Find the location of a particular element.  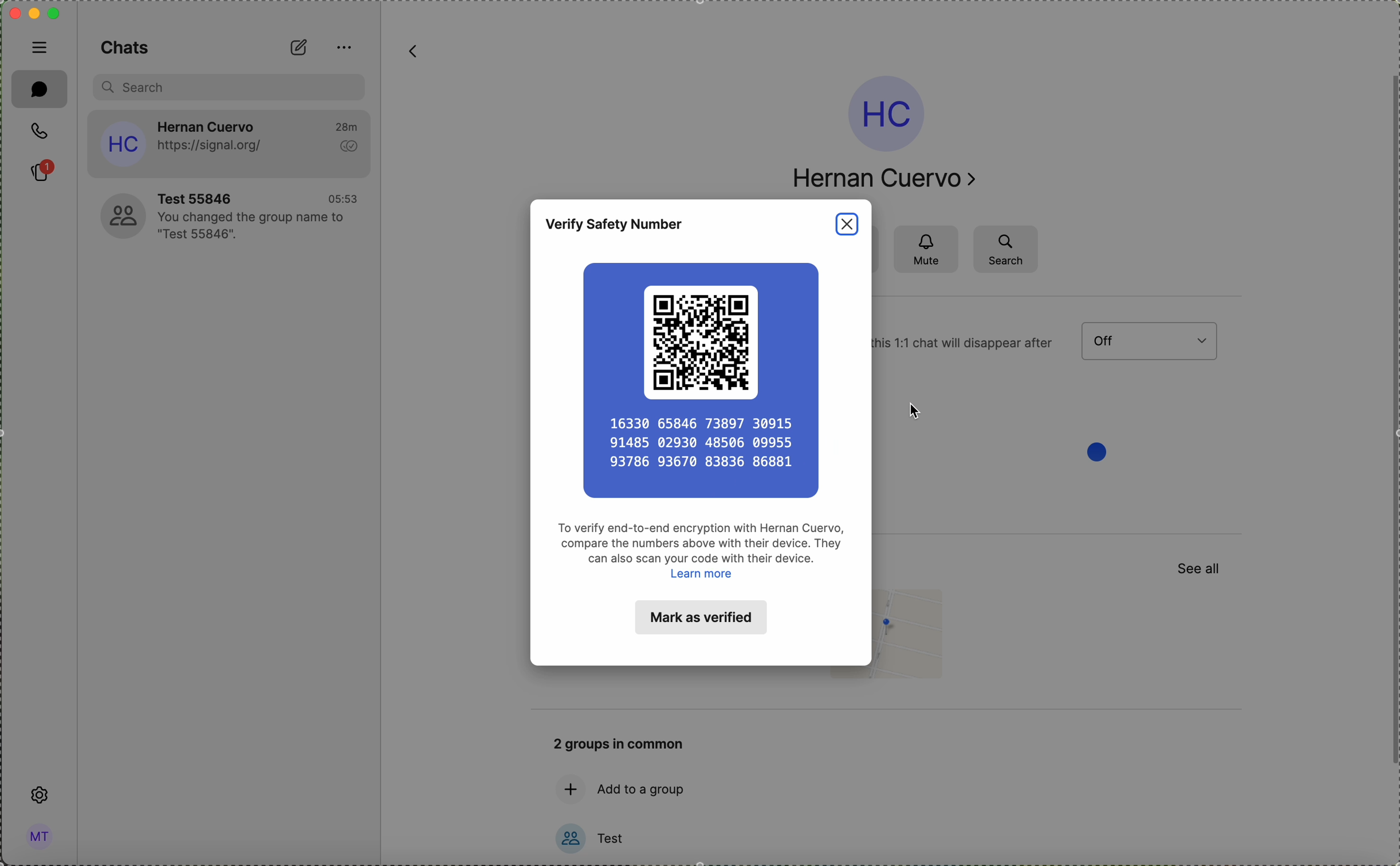

16330 65846 73897 30915
91485 02930 48506 09955
93786 93670 83836 86881 is located at coordinates (703, 447).